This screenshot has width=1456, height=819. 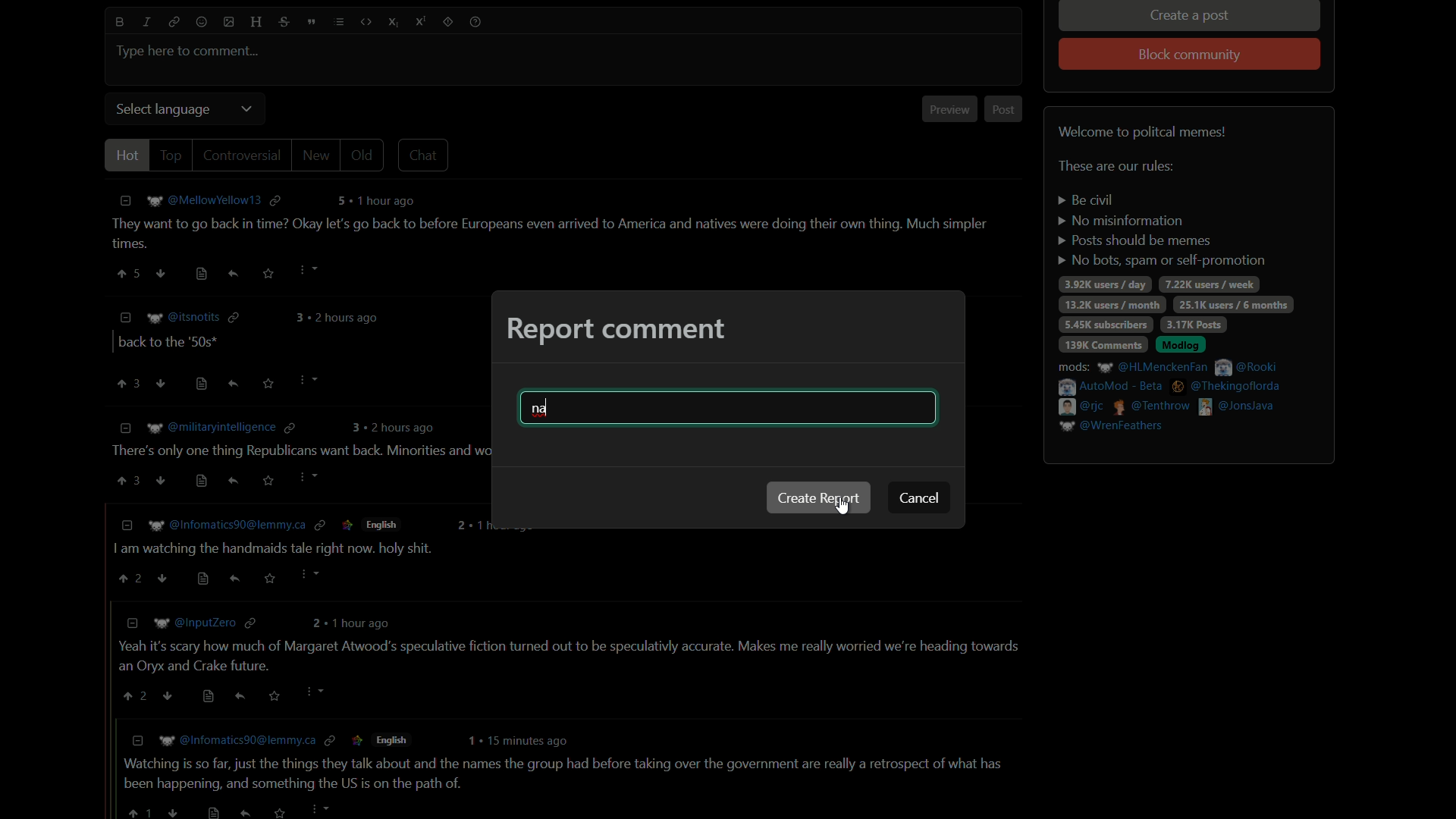 I want to click on hot, so click(x=128, y=155).